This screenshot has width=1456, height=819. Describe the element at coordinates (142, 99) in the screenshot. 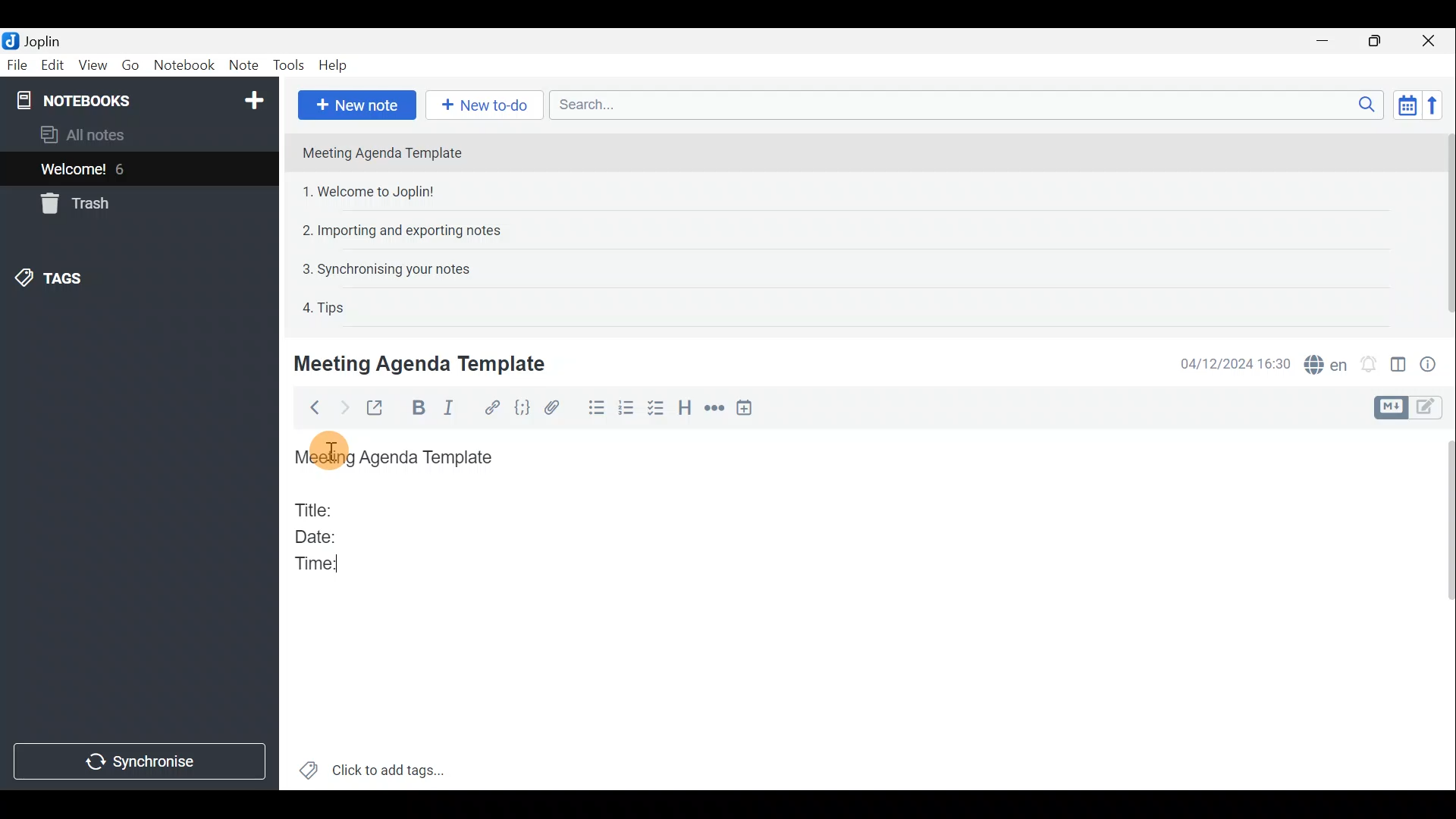

I see `Notebooks` at that location.